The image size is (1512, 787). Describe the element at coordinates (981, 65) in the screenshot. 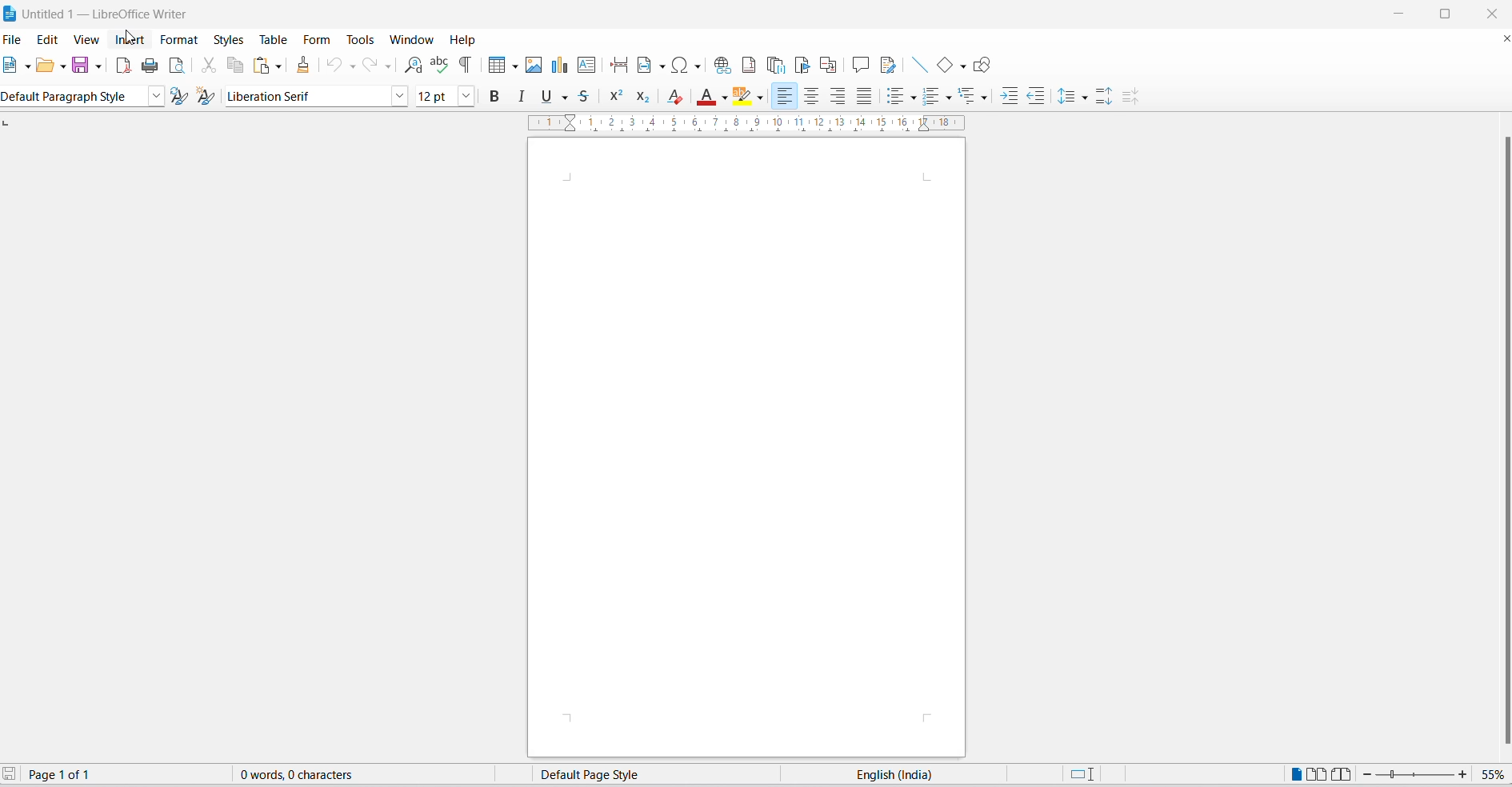

I see `show draw functions` at that location.